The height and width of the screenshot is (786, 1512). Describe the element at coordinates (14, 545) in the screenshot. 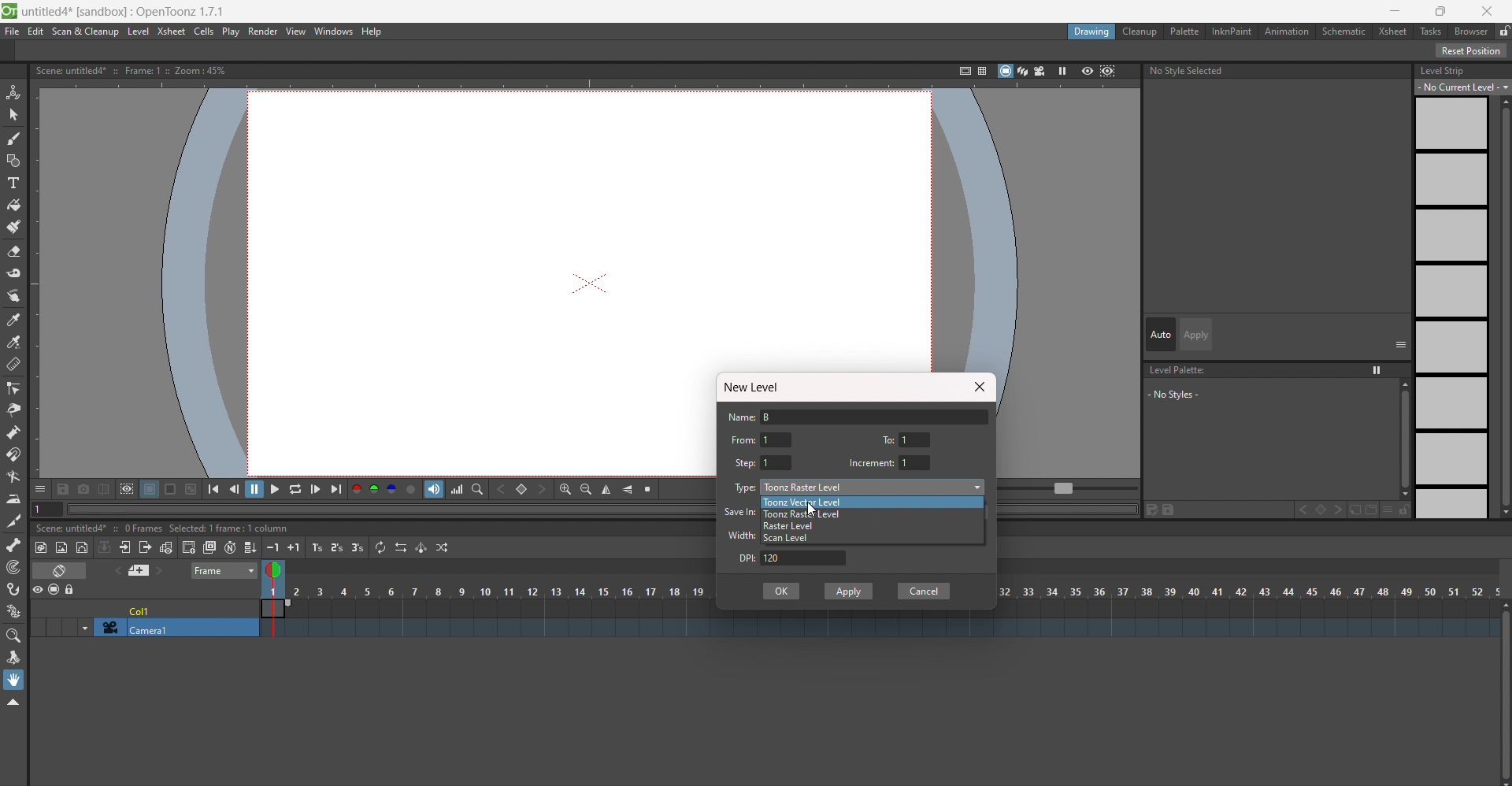

I see `skeleton tool` at that location.